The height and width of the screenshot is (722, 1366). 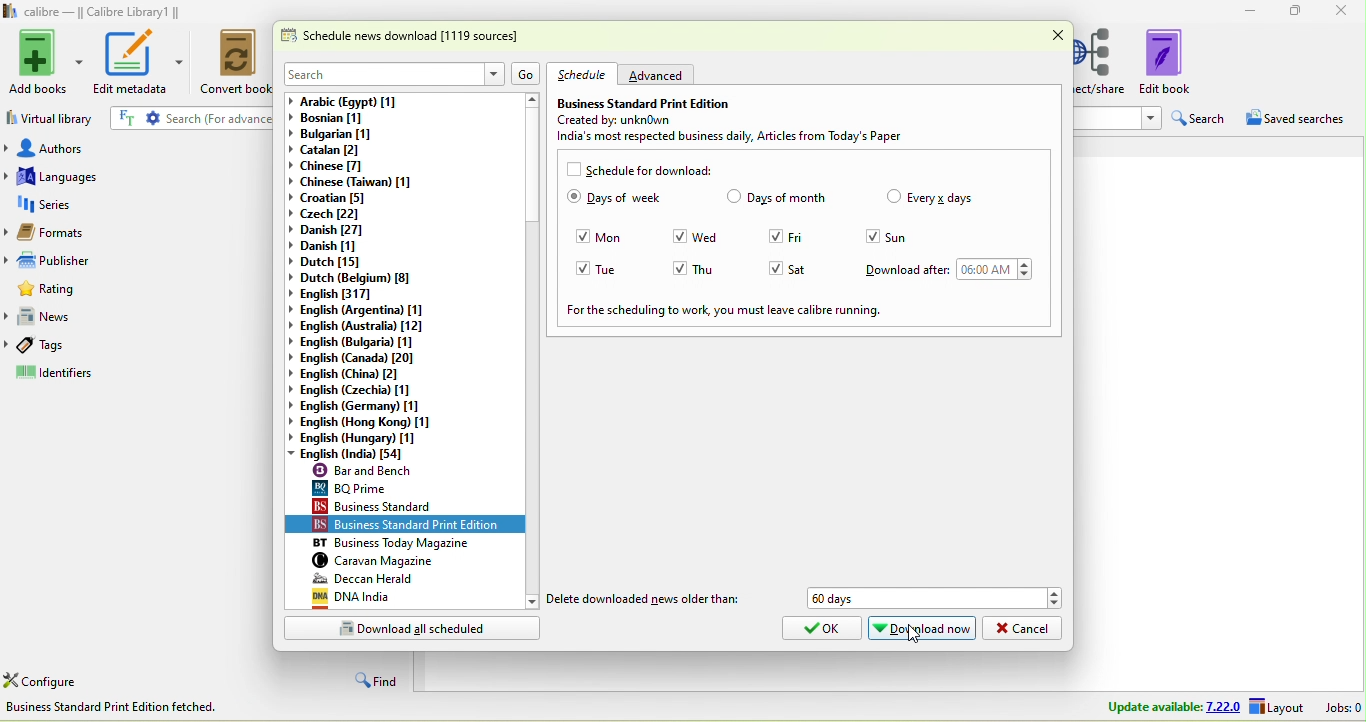 What do you see at coordinates (724, 311) in the screenshot?
I see `for the scheduling to work ,you ,must leave calibre running` at bounding box center [724, 311].